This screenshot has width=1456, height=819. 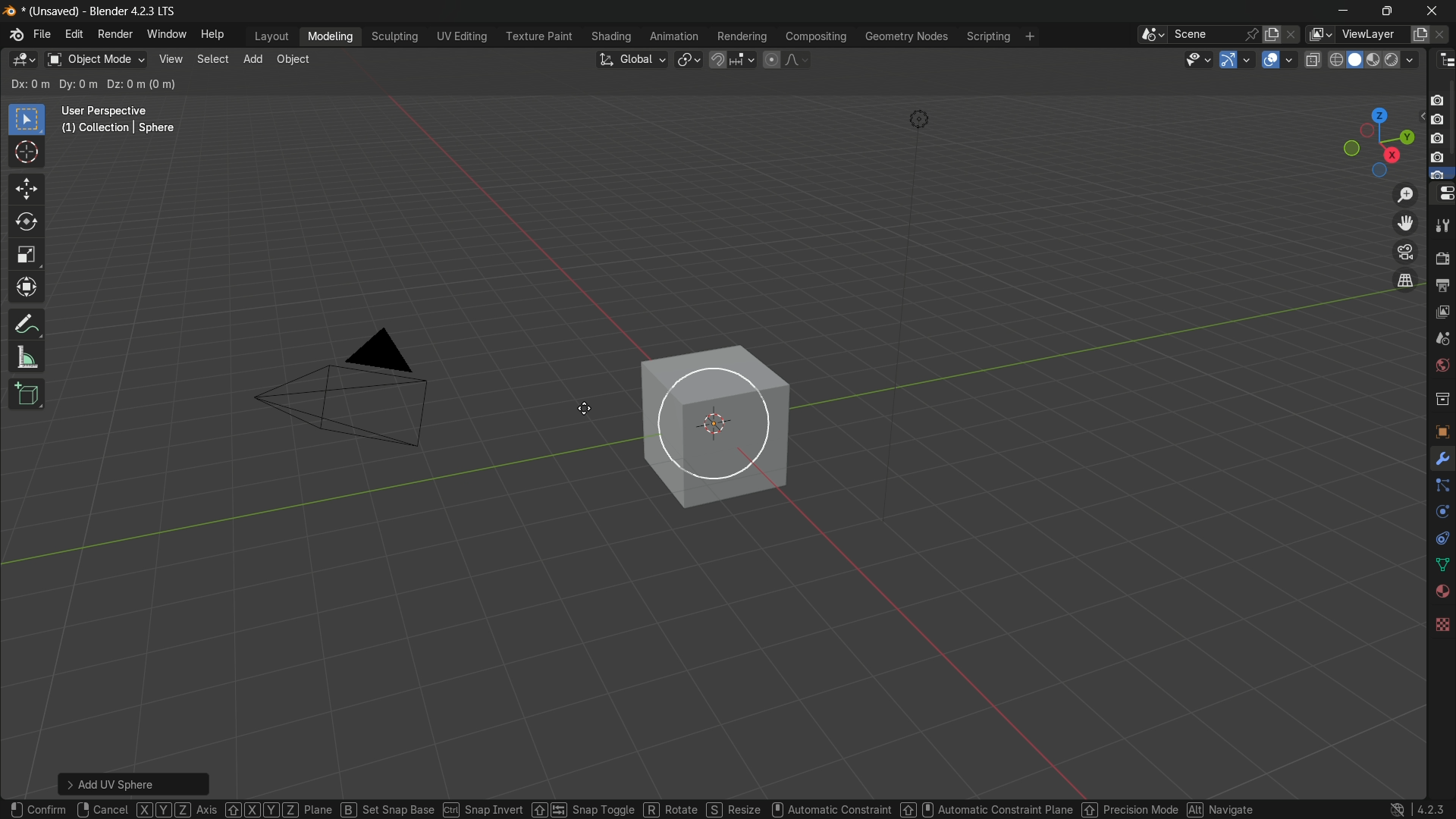 I want to click on Texture Properties, so click(x=1442, y=623).